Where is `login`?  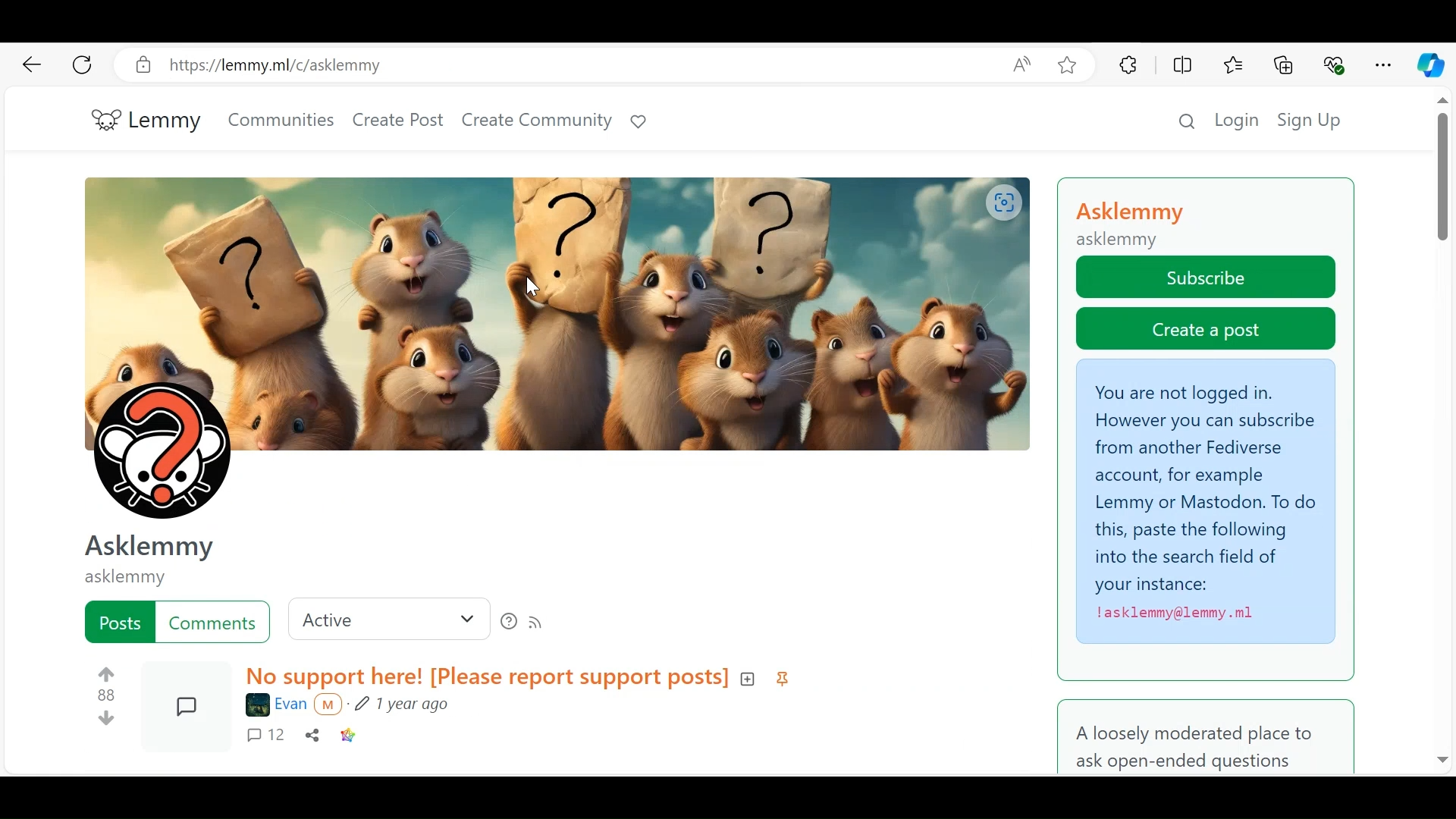
login is located at coordinates (1239, 119).